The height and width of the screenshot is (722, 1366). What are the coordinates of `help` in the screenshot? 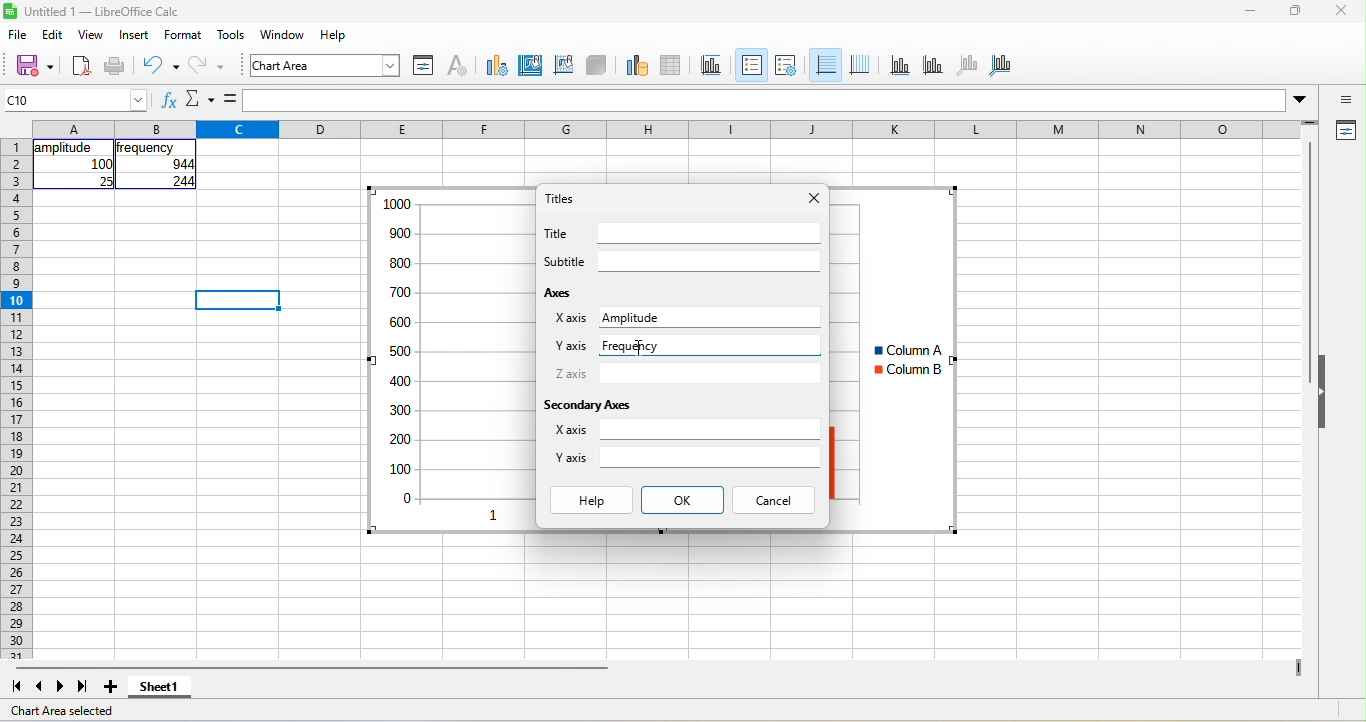 It's located at (592, 500).